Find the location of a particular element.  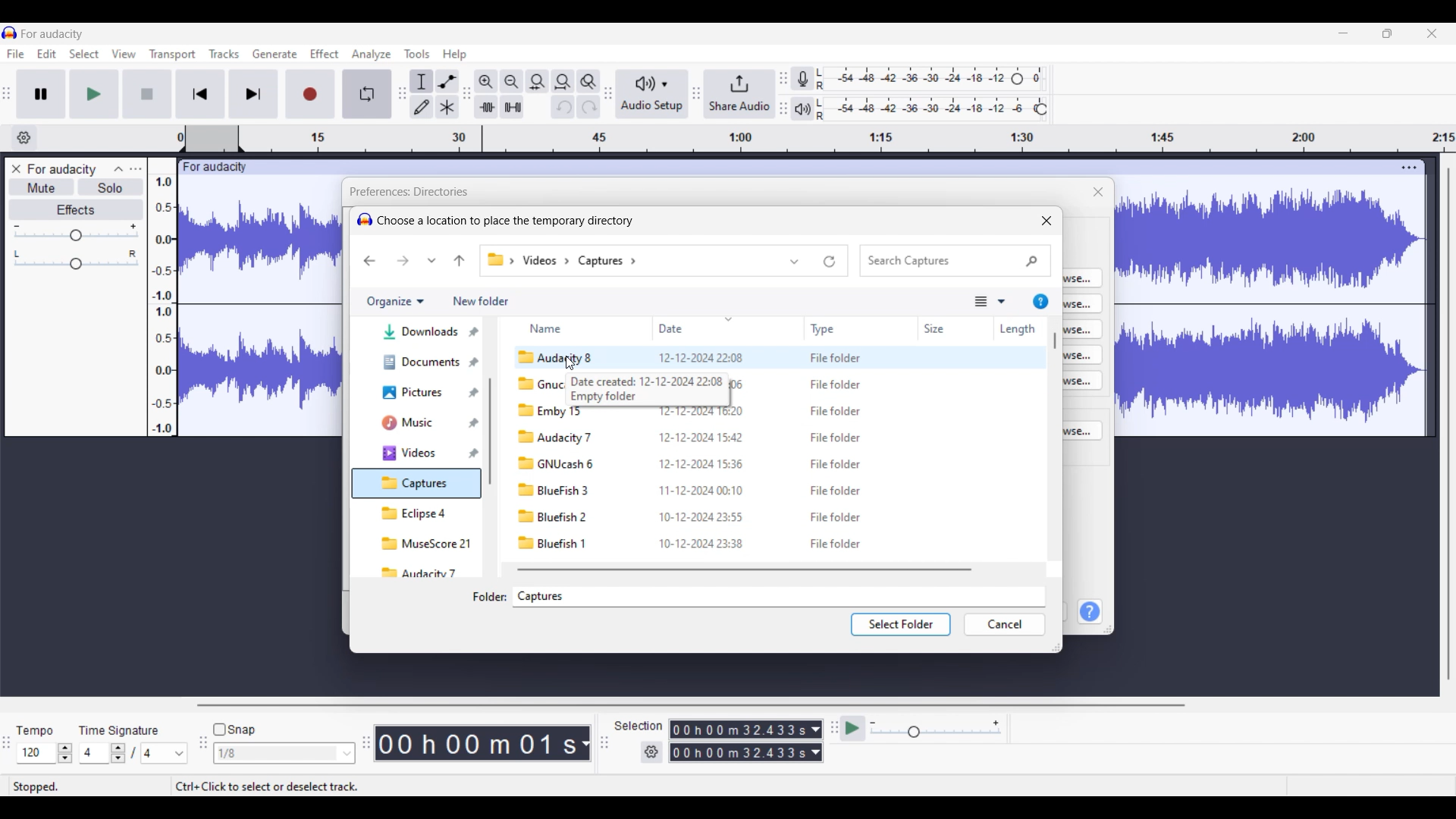

Captures, current selection highlighted is located at coordinates (417, 483).